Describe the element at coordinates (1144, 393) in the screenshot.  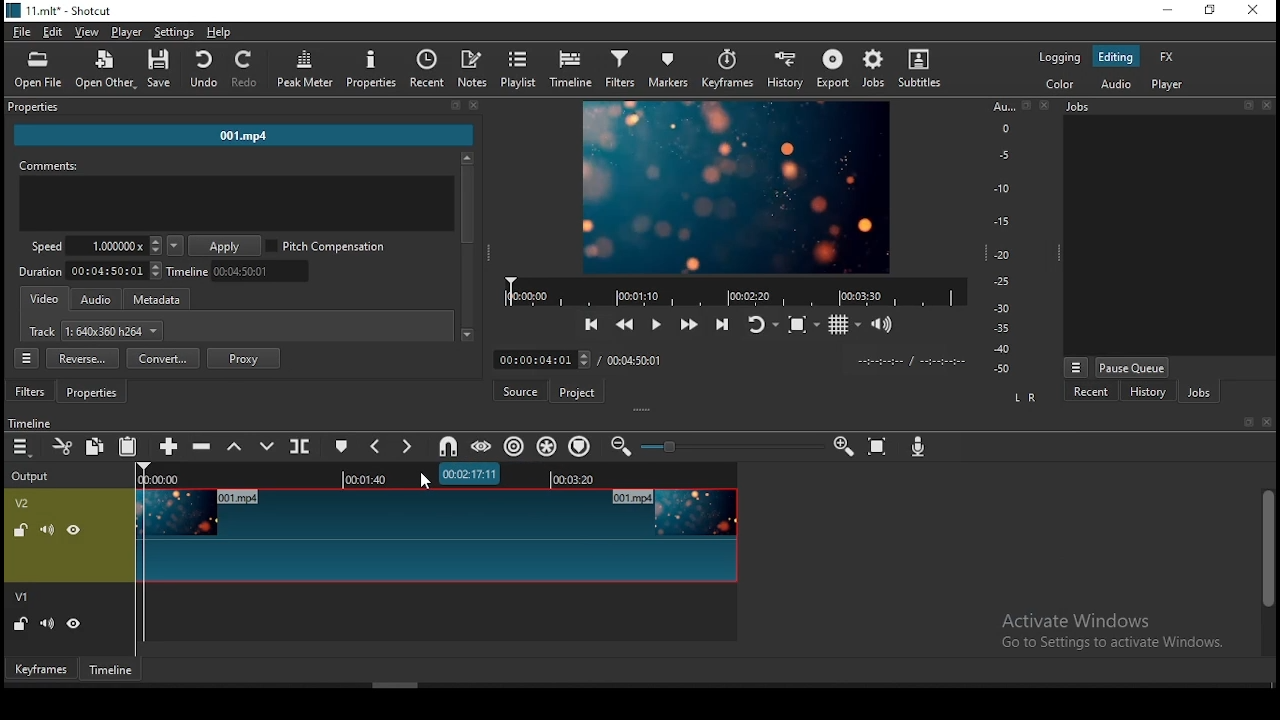
I see `history` at that location.